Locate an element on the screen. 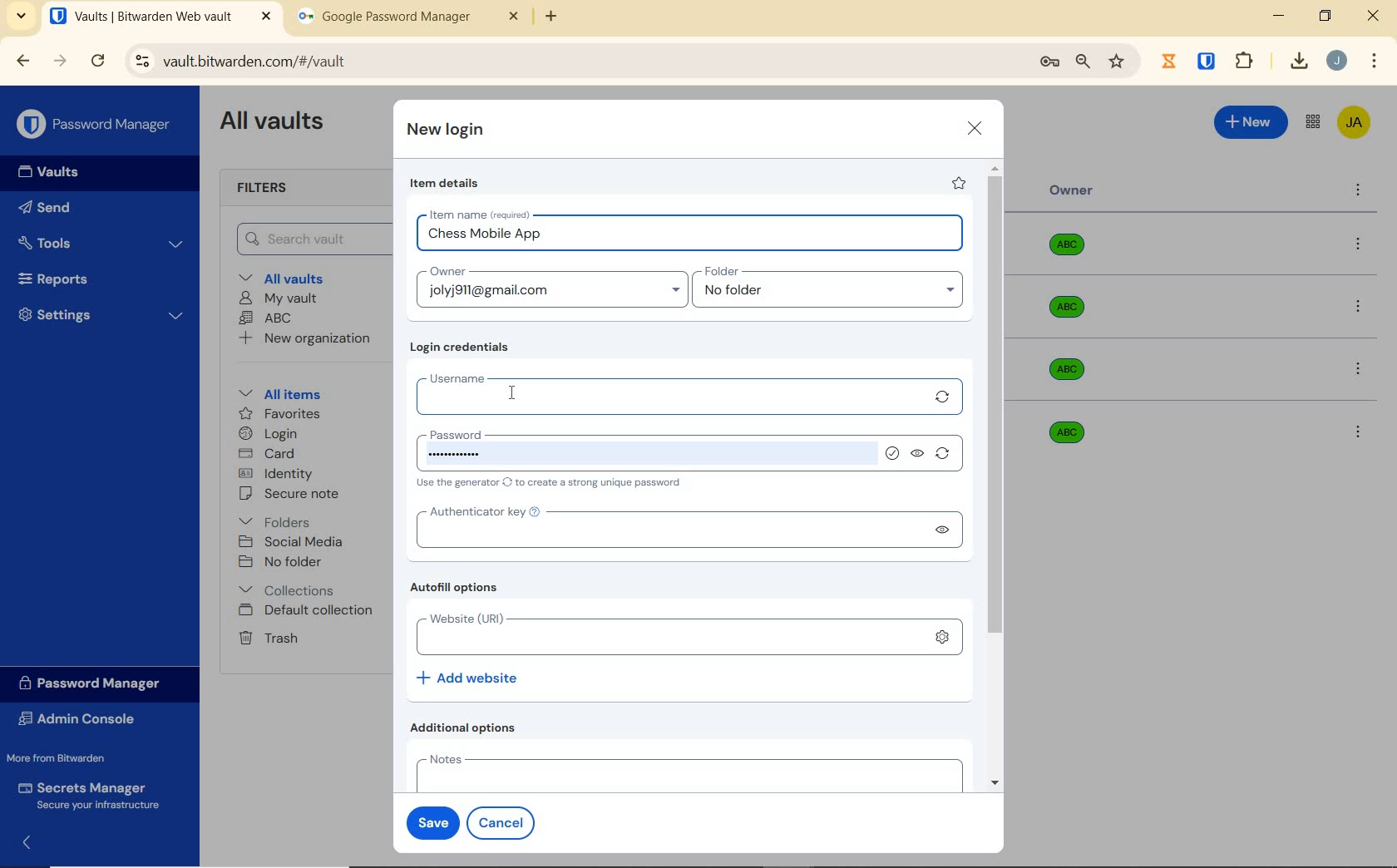 Image resolution: width=1397 pixels, height=868 pixels. jolyj91@gmail.com is located at coordinates (555, 293).